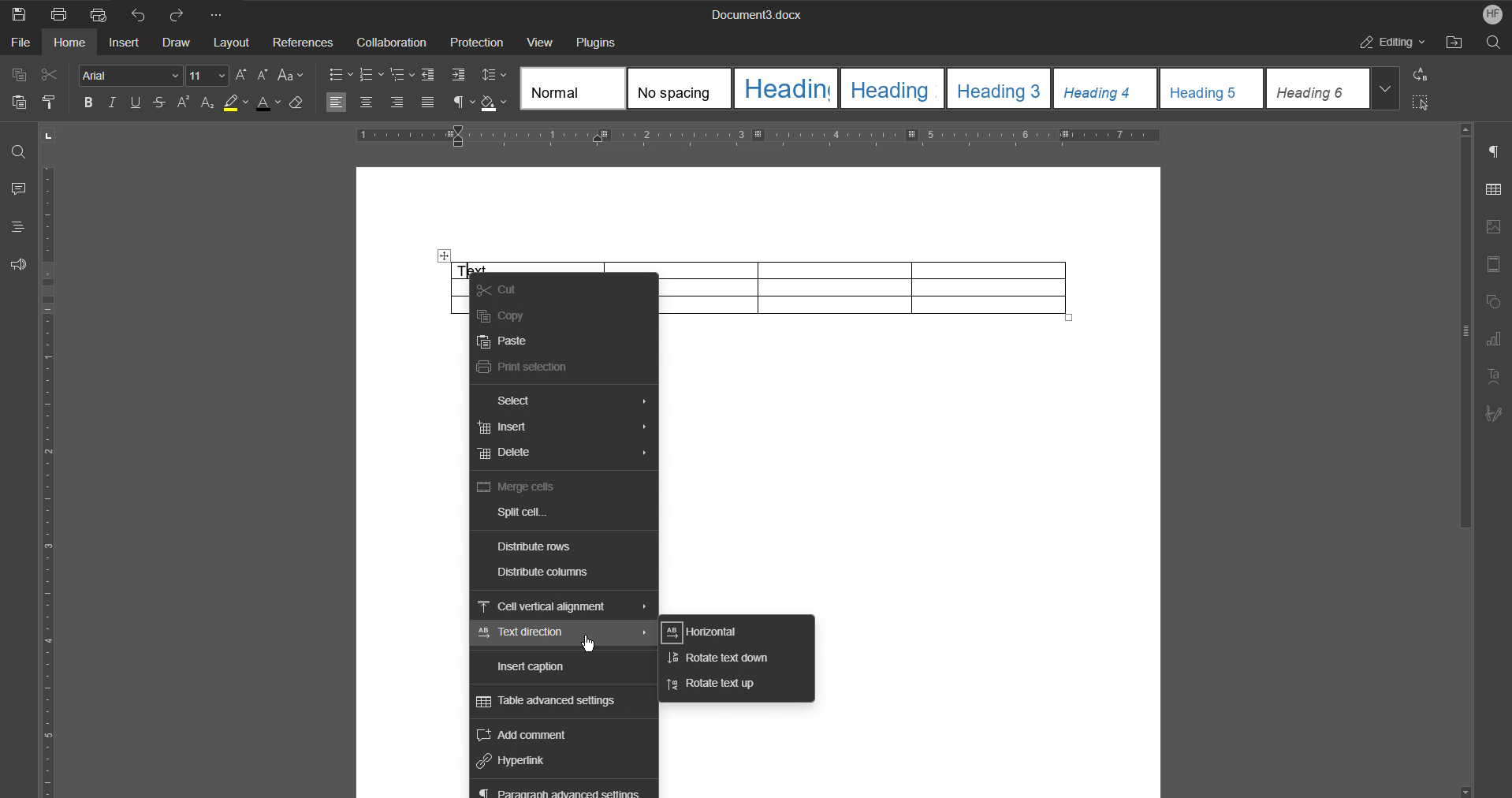 The image size is (1512, 798). I want to click on Cut, so click(49, 75).